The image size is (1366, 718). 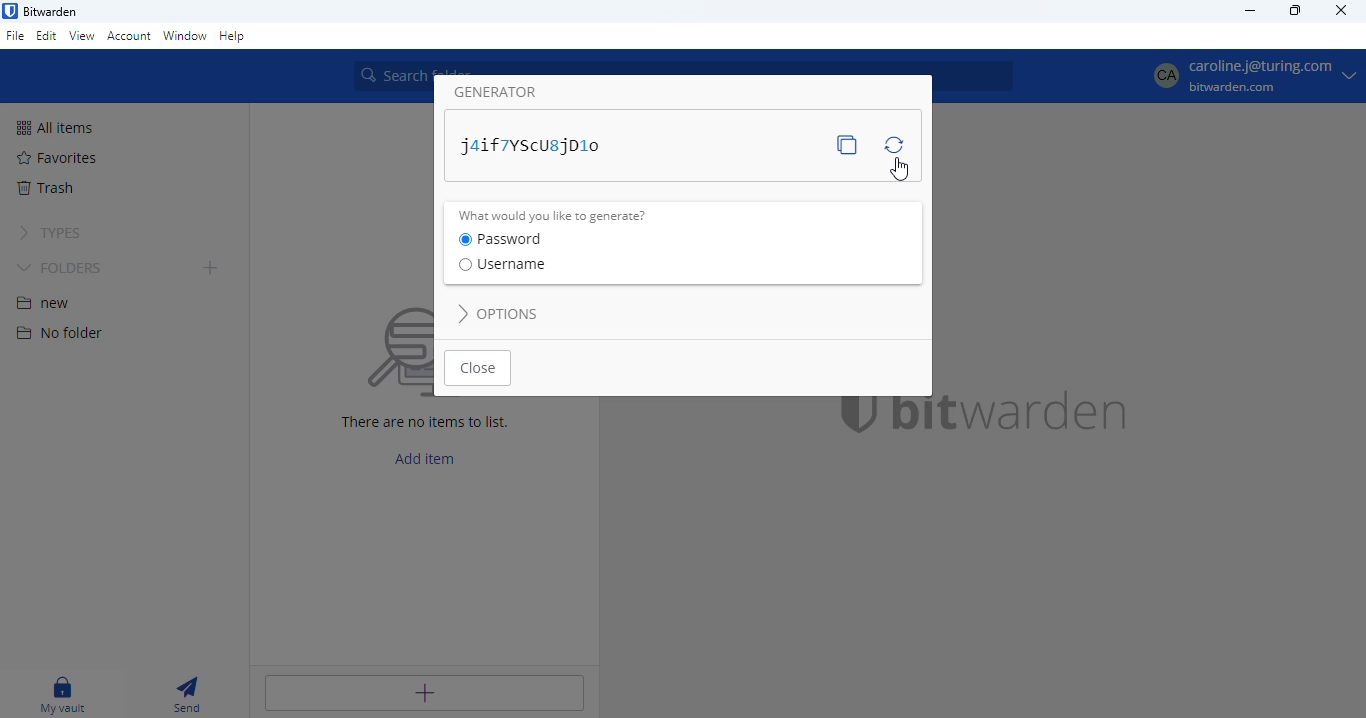 What do you see at coordinates (82, 35) in the screenshot?
I see `view` at bounding box center [82, 35].